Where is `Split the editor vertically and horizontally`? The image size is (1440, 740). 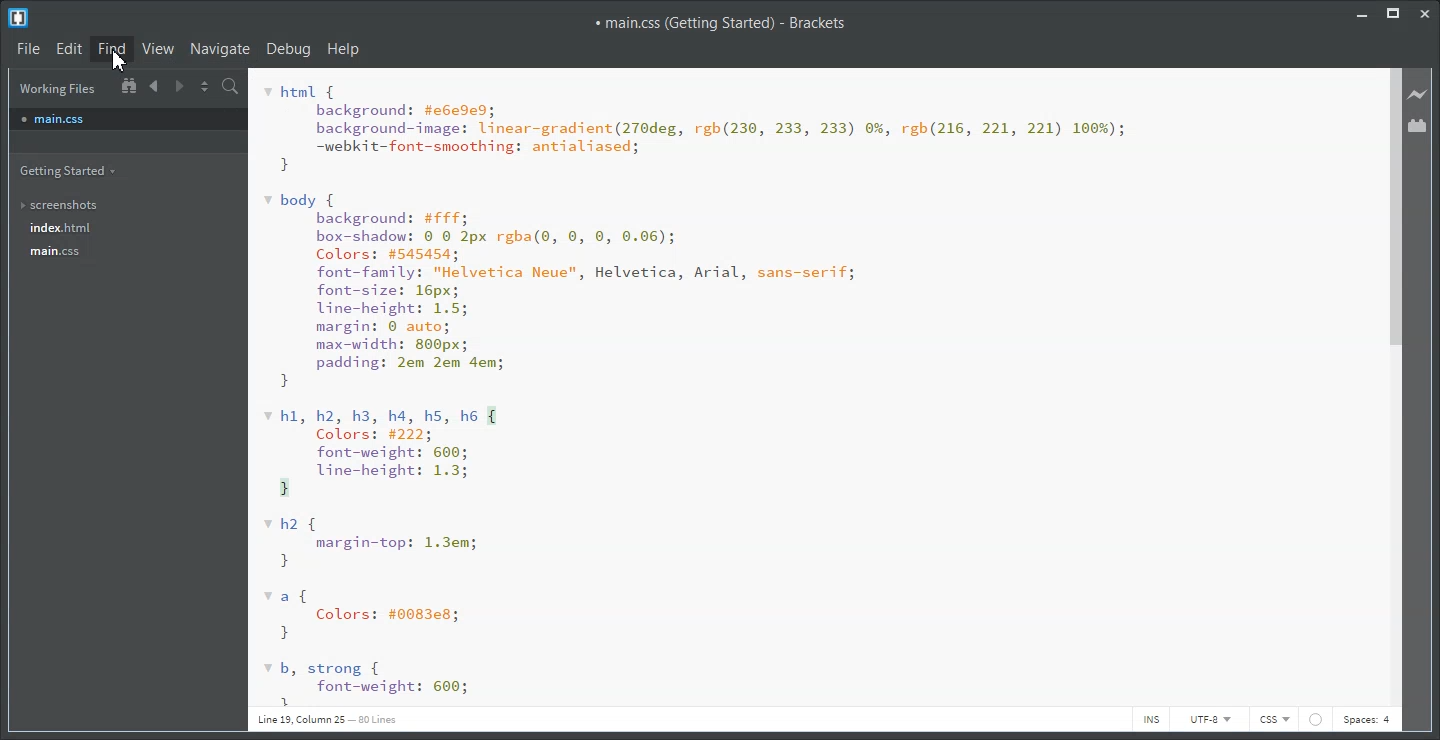
Split the editor vertically and horizontally is located at coordinates (205, 85).